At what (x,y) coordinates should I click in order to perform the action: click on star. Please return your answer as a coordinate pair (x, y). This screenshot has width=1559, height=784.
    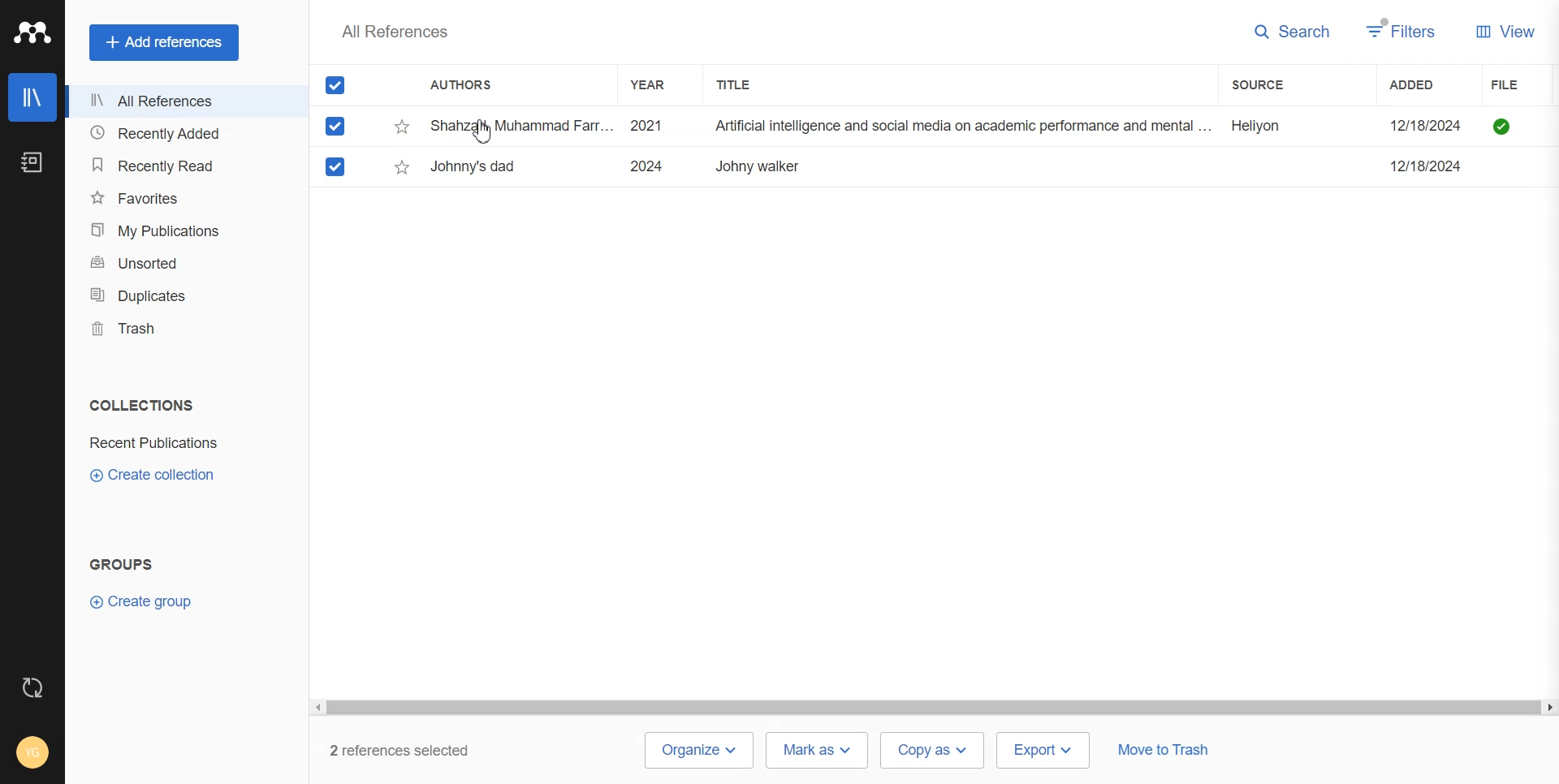
    Looking at the image, I should click on (402, 167).